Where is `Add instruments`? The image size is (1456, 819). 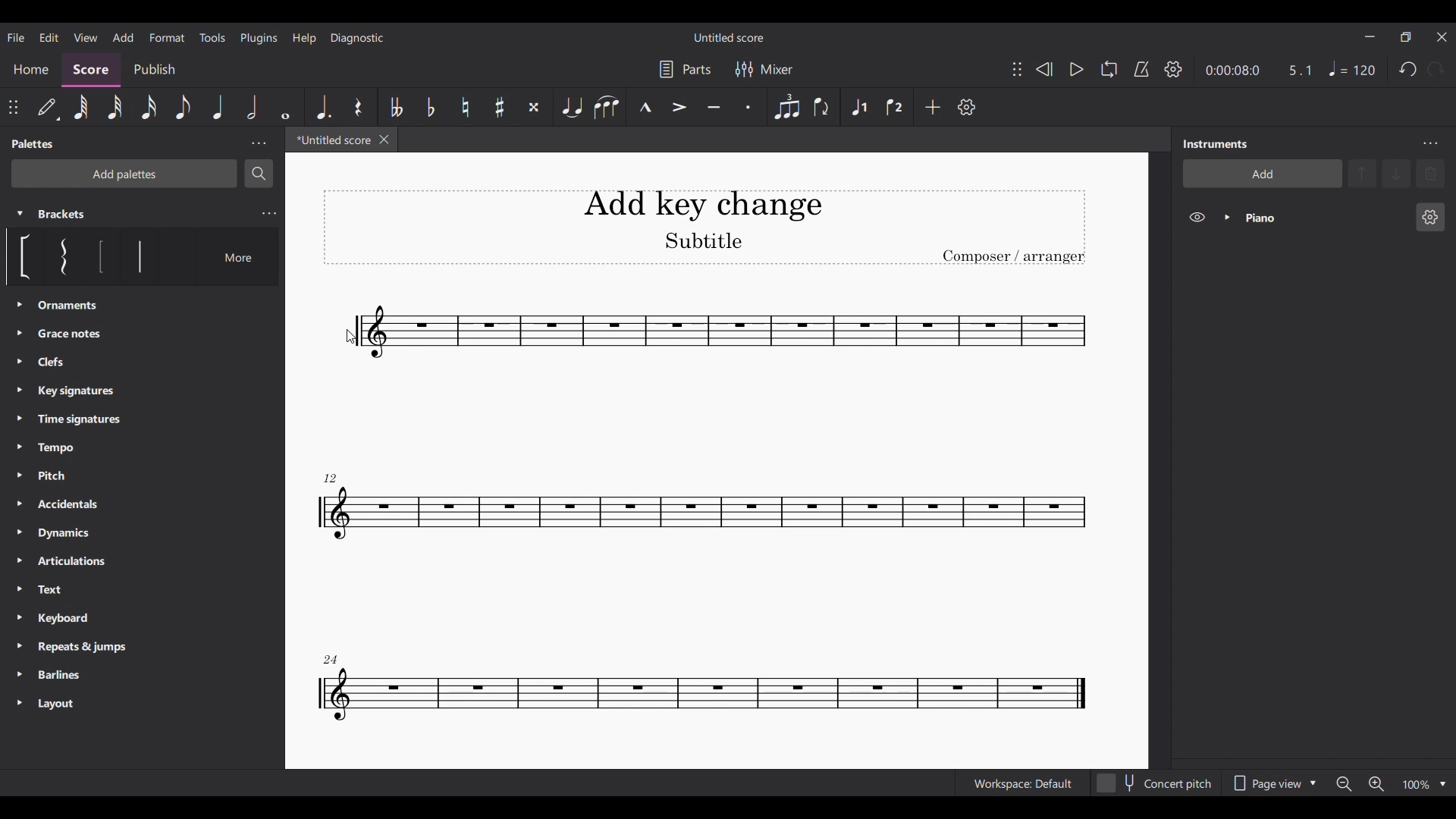 Add instruments is located at coordinates (1263, 173).